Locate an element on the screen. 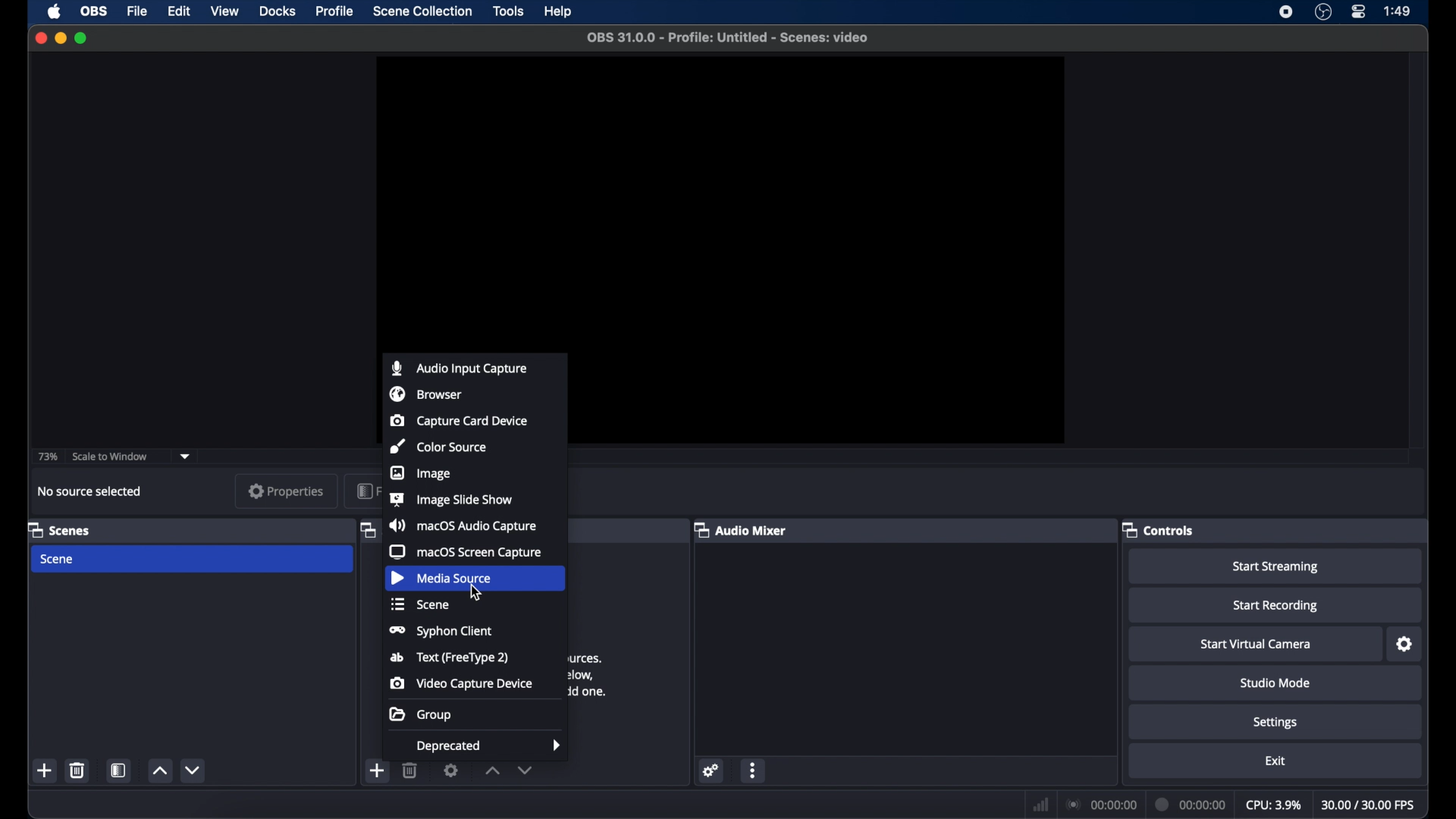 This screenshot has width=1456, height=819. settings is located at coordinates (1405, 644).